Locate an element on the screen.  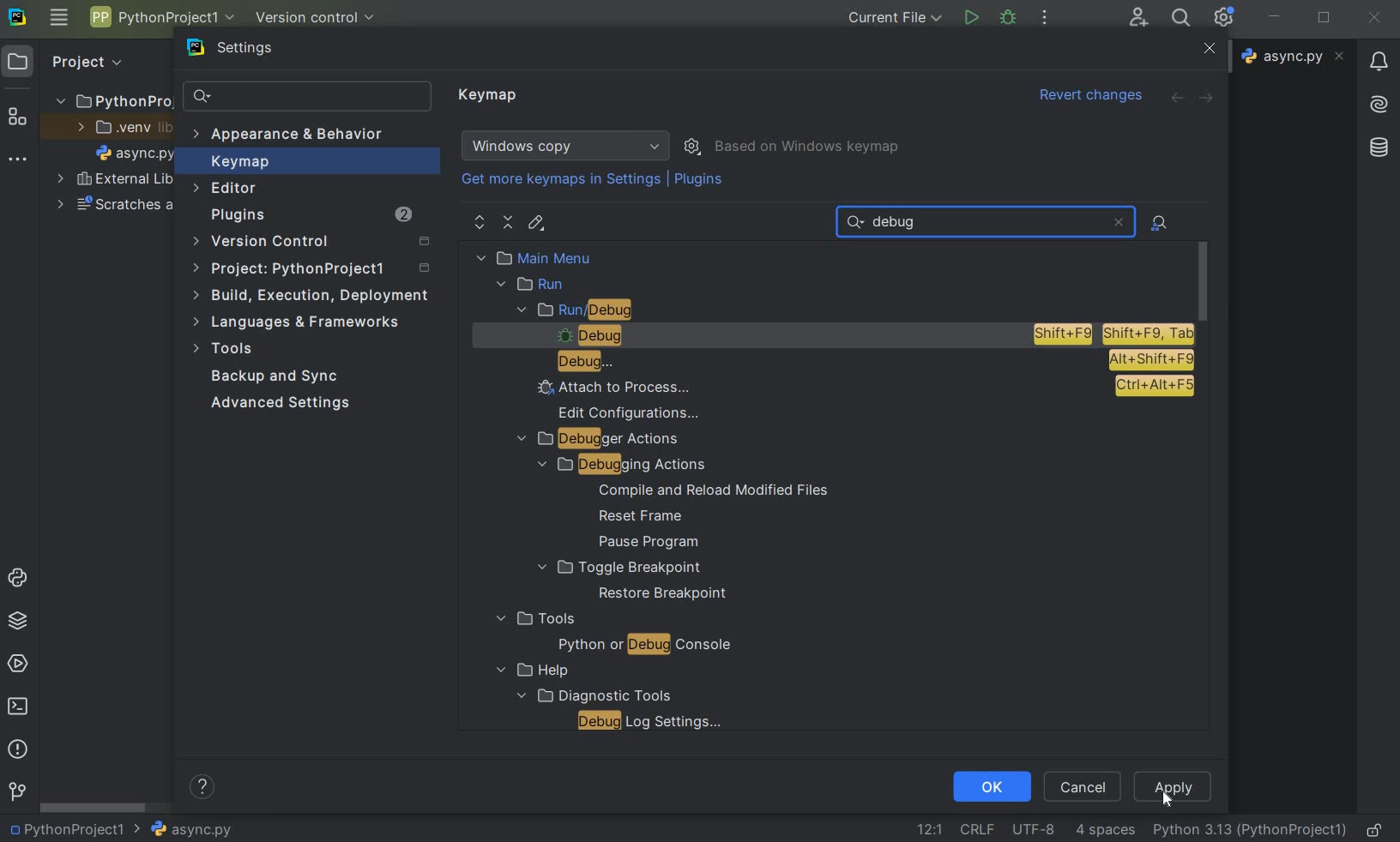
search everywhere is located at coordinates (1178, 20).